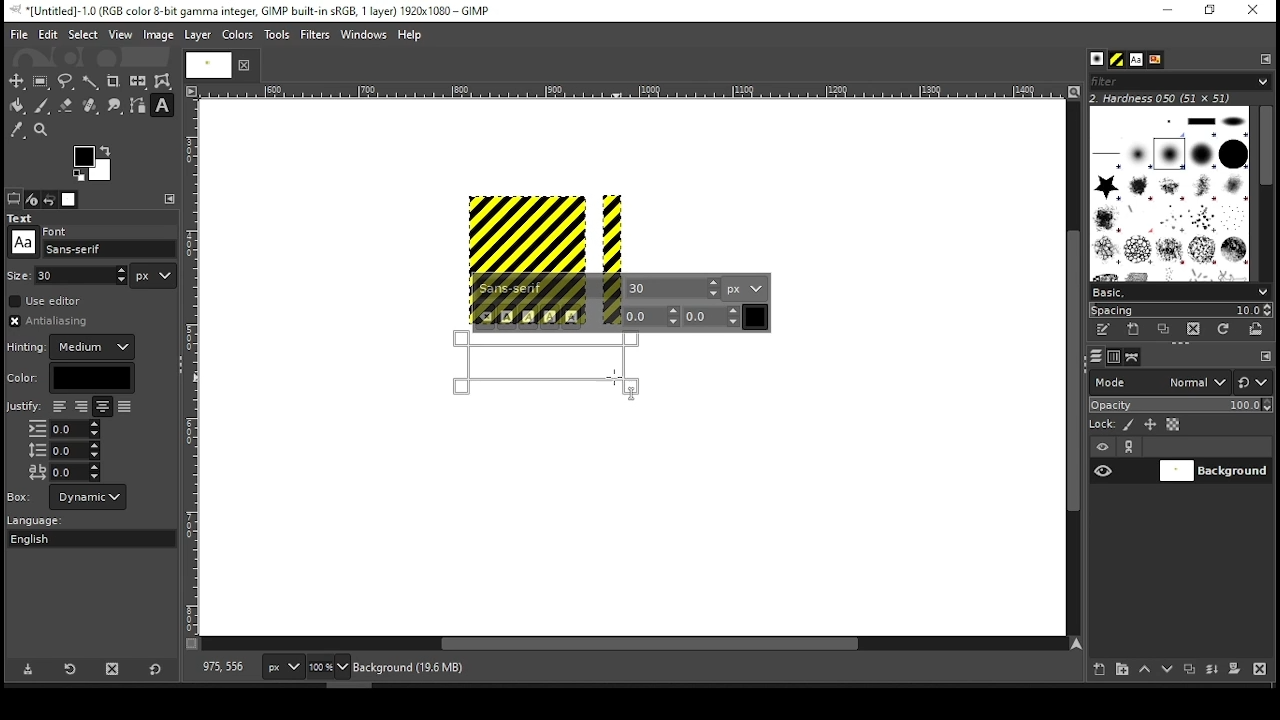 This screenshot has width=1280, height=720. What do you see at coordinates (410, 36) in the screenshot?
I see `help` at bounding box center [410, 36].